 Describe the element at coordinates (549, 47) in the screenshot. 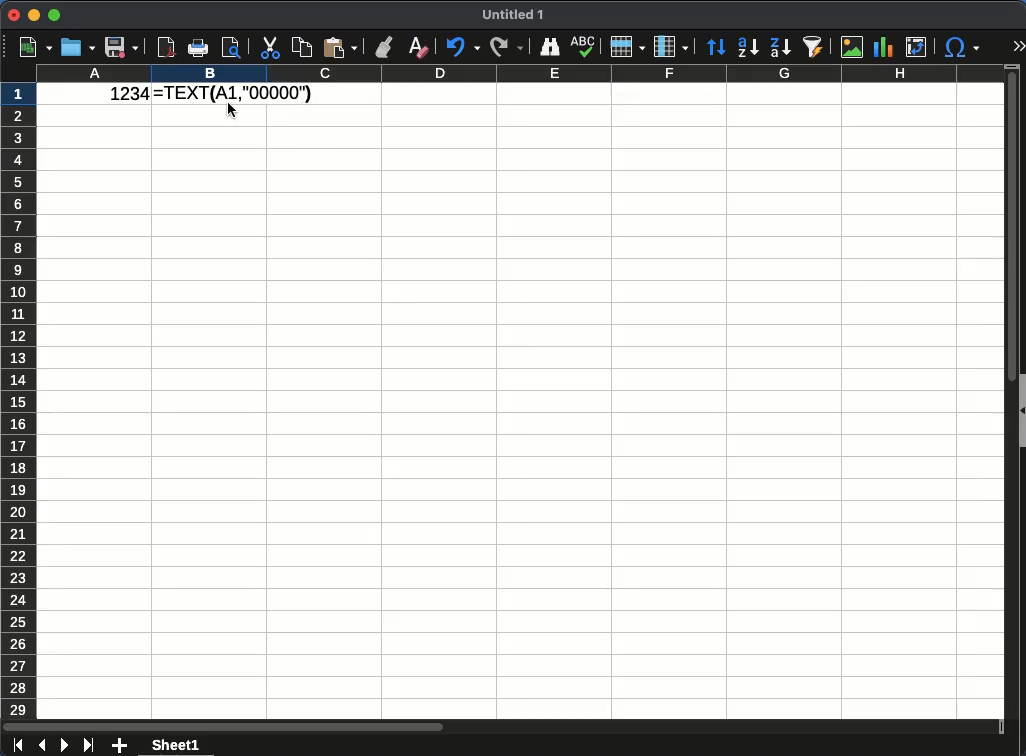

I see `finder` at that location.